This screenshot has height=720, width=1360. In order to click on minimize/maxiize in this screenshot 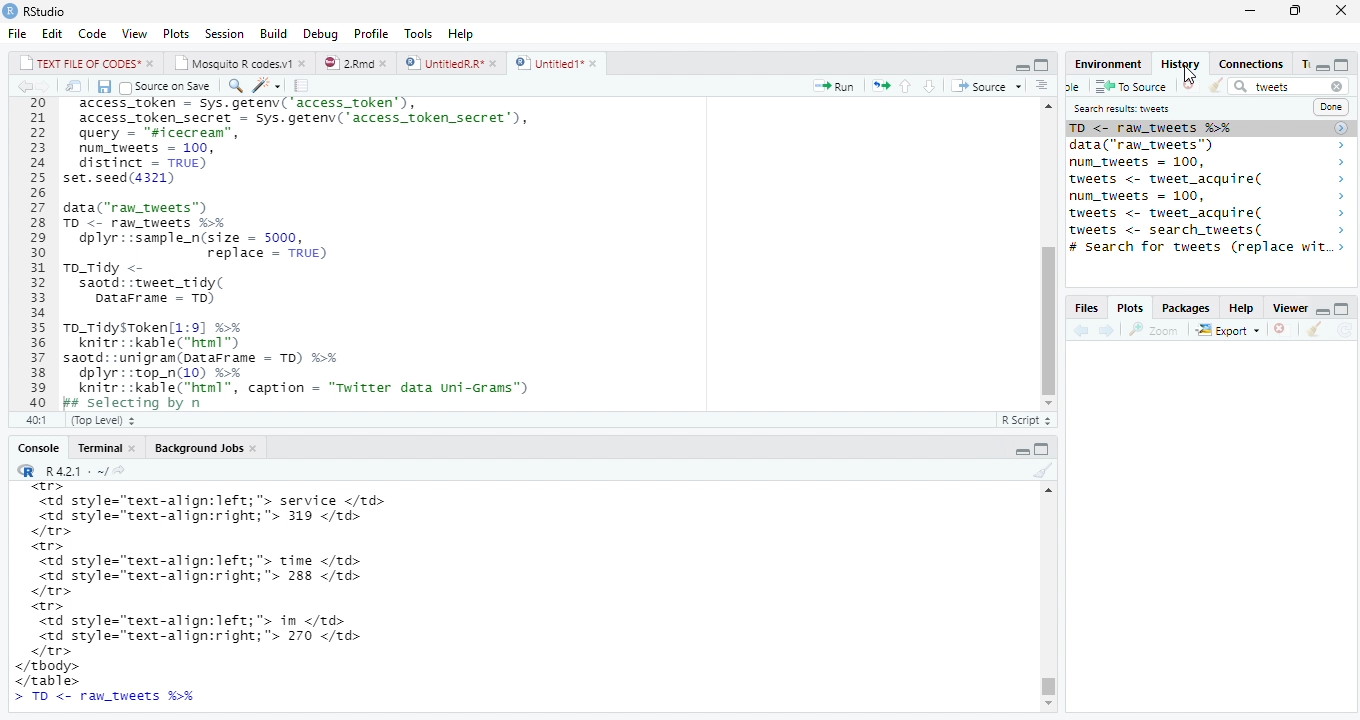, I will do `click(1034, 447)`.